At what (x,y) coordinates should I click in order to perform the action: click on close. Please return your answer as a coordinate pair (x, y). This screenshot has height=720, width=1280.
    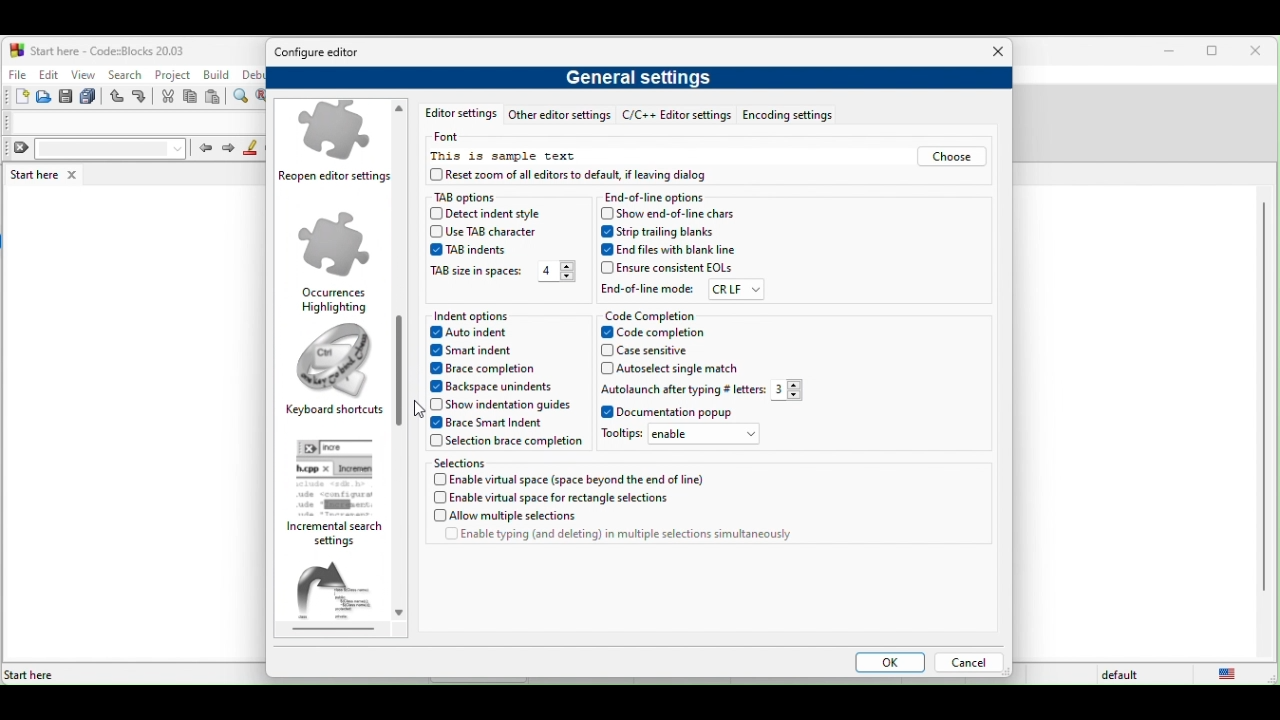
    Looking at the image, I should click on (993, 53).